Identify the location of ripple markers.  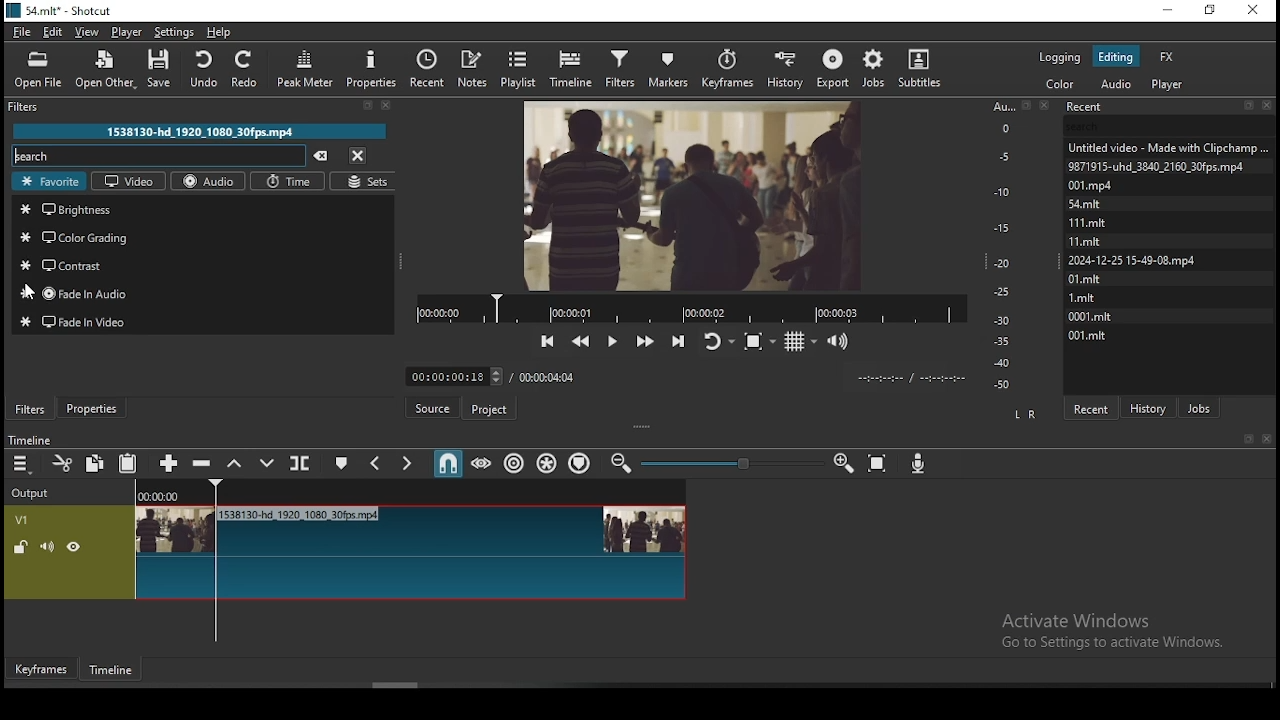
(578, 464).